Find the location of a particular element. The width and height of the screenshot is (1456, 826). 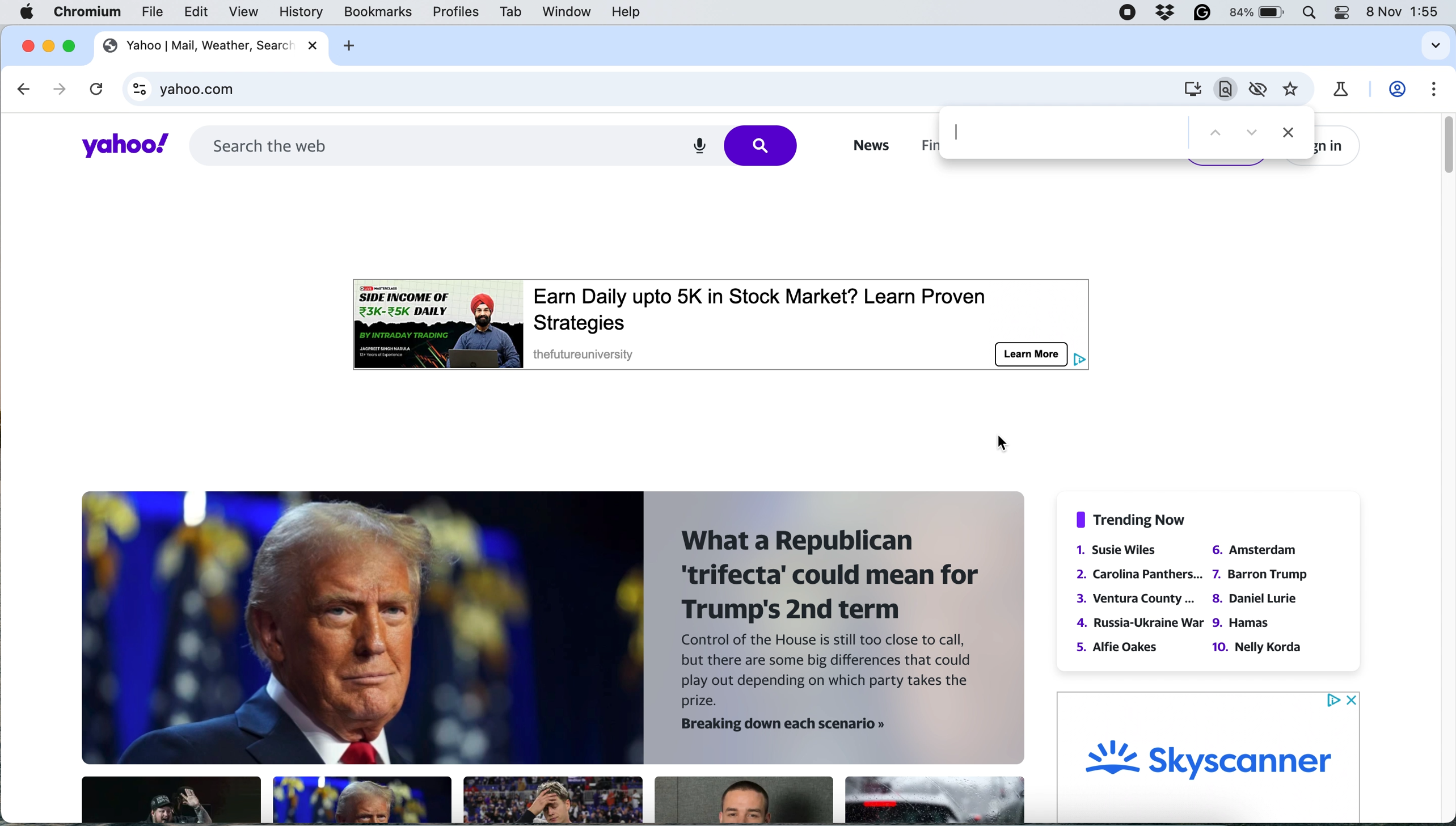

chromium is located at coordinates (85, 11).